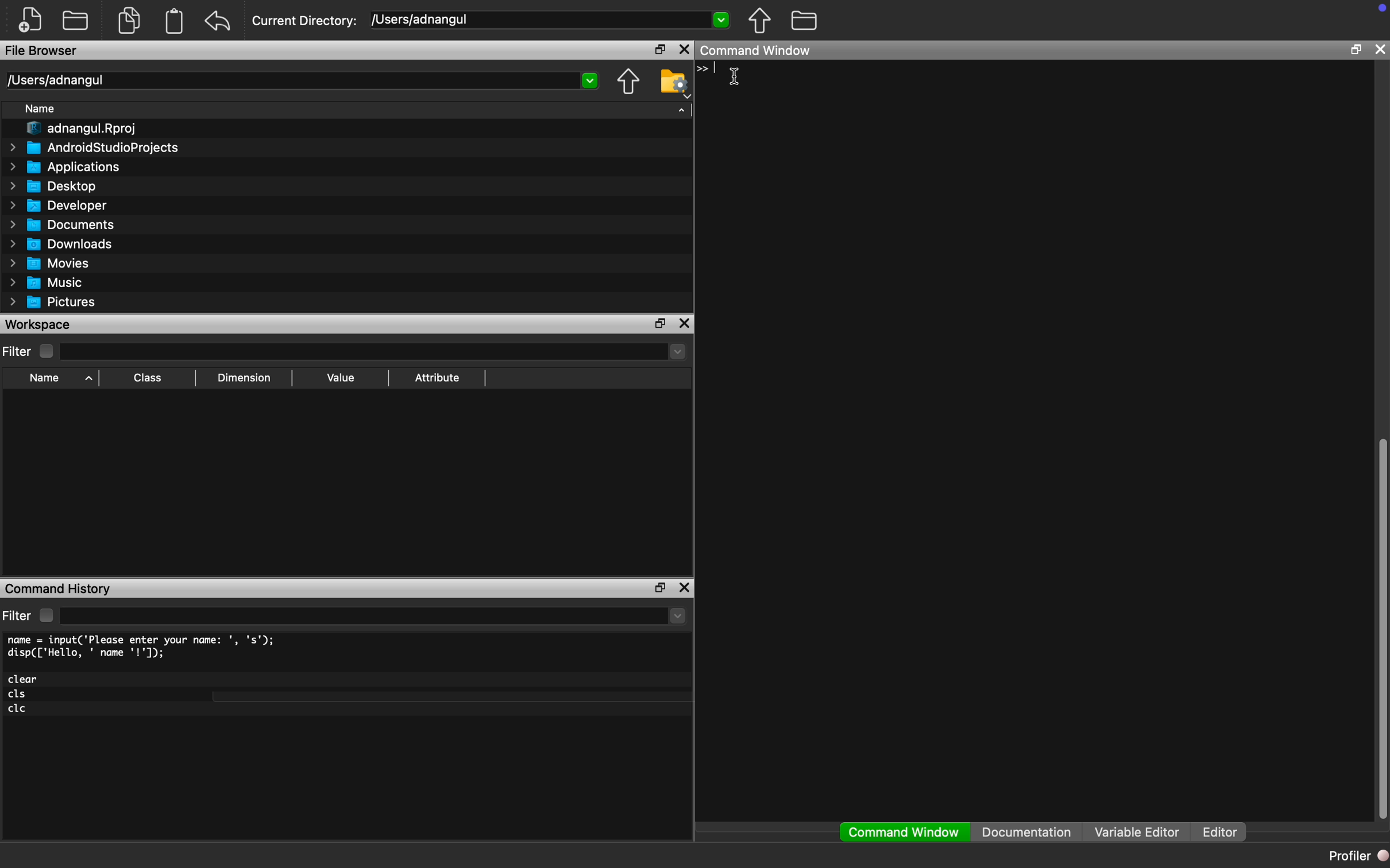  What do you see at coordinates (675, 83) in the screenshot?
I see `Folder settings` at bounding box center [675, 83].